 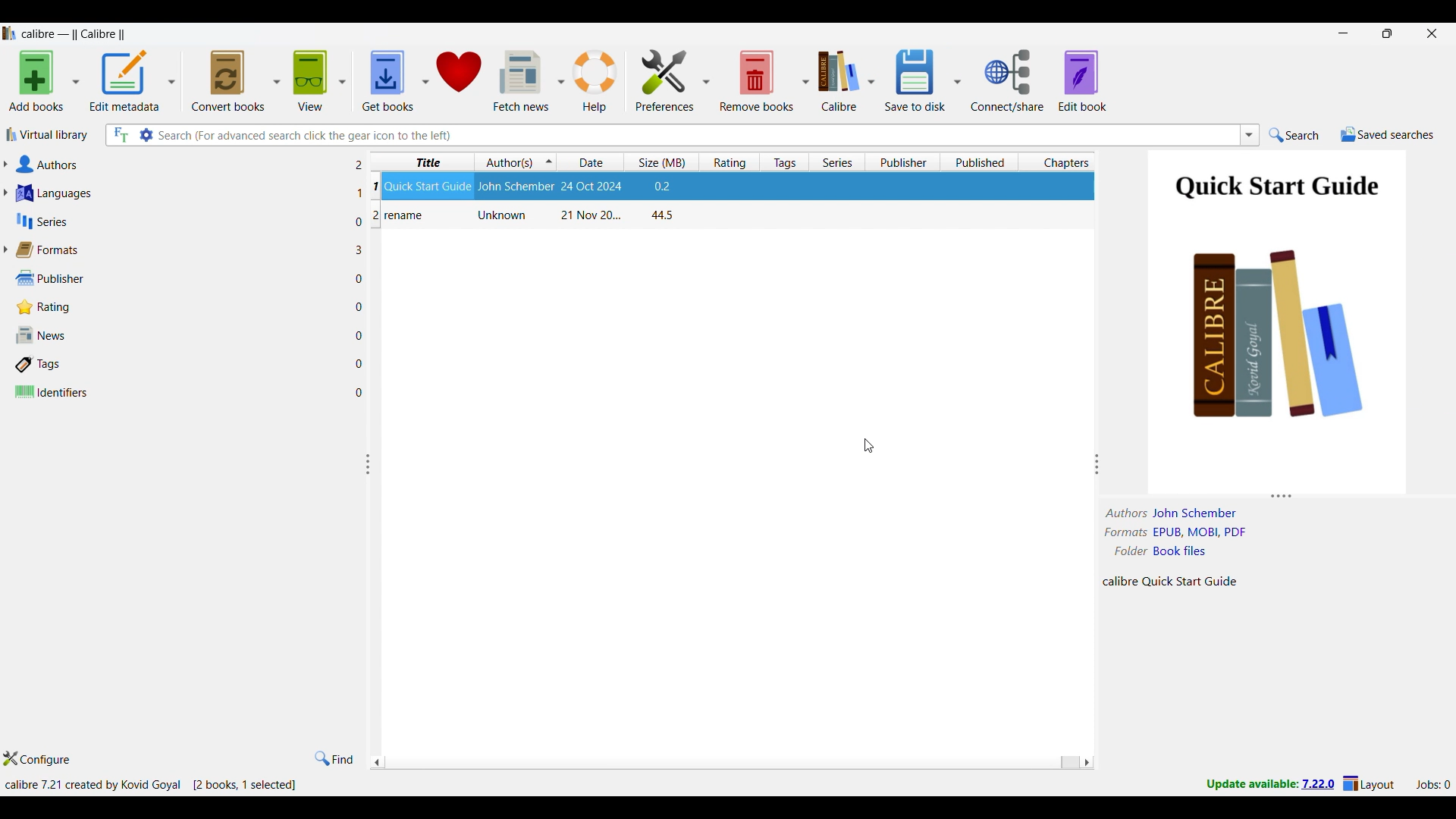 What do you see at coordinates (514, 162) in the screenshot?
I see `Authors column, current sorting` at bounding box center [514, 162].